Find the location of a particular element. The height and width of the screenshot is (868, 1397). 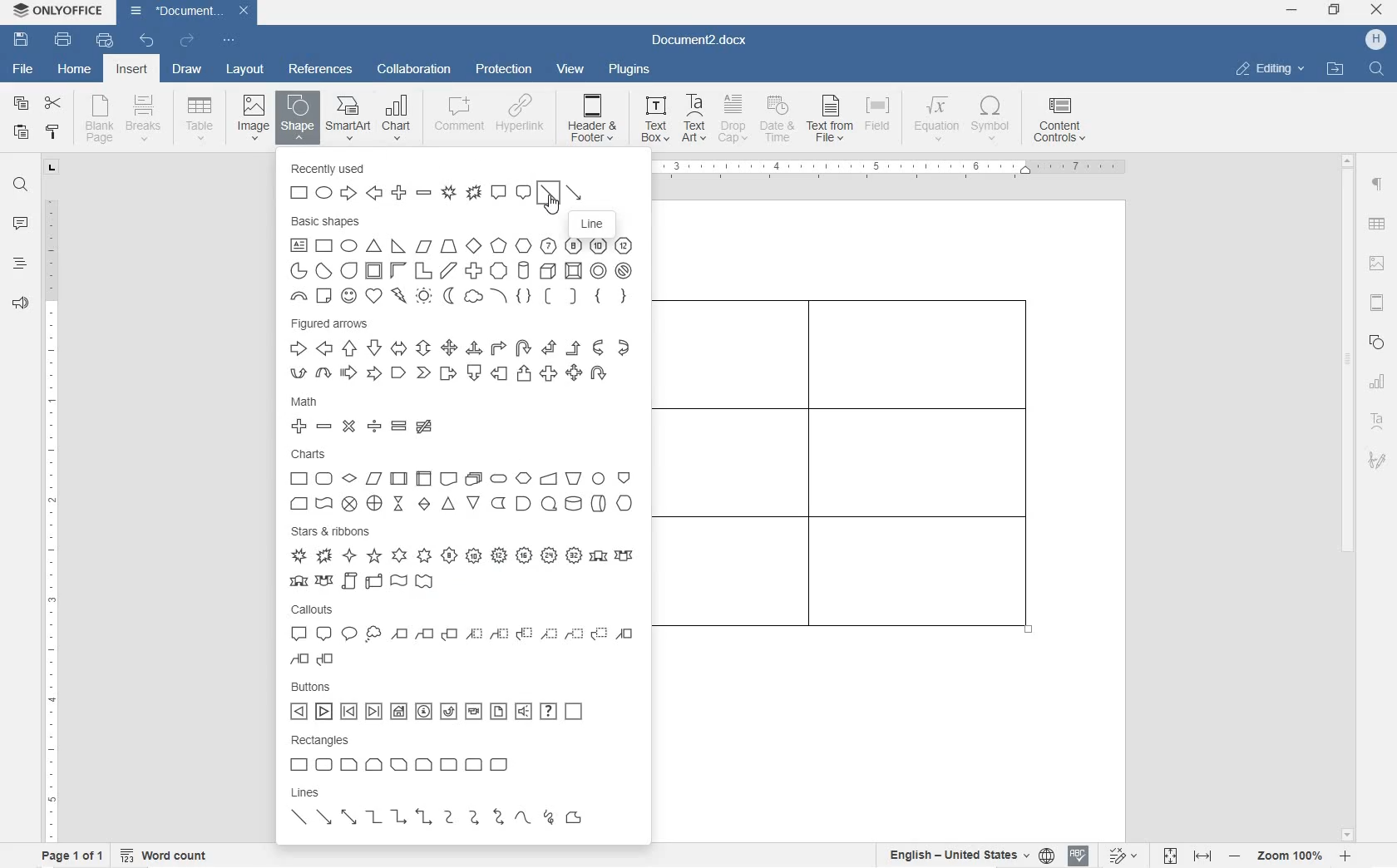

FIELD is located at coordinates (881, 121).